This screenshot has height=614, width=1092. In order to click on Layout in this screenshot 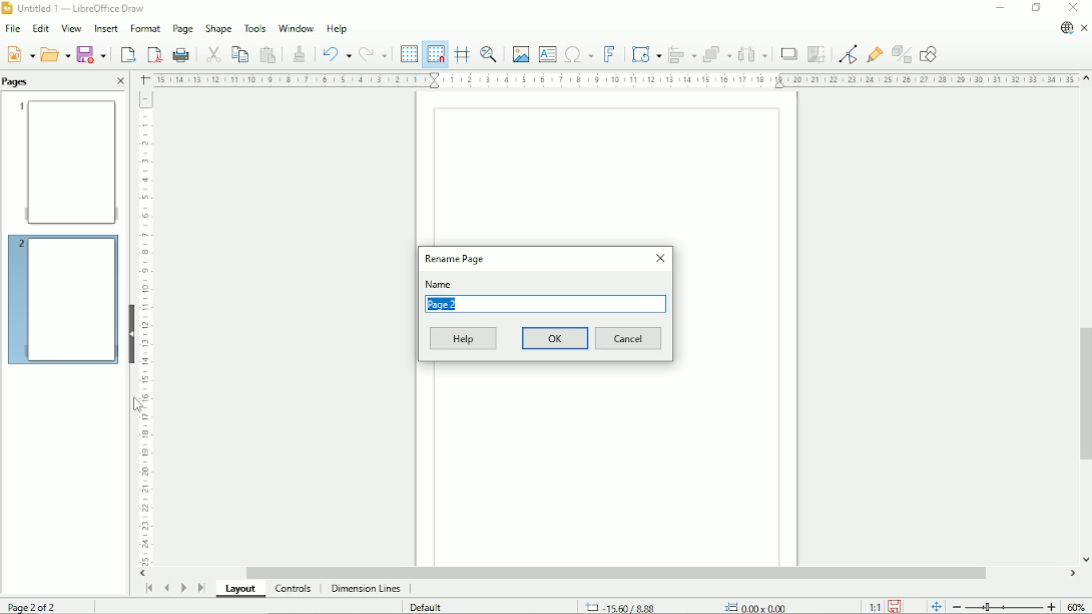, I will do `click(243, 590)`.